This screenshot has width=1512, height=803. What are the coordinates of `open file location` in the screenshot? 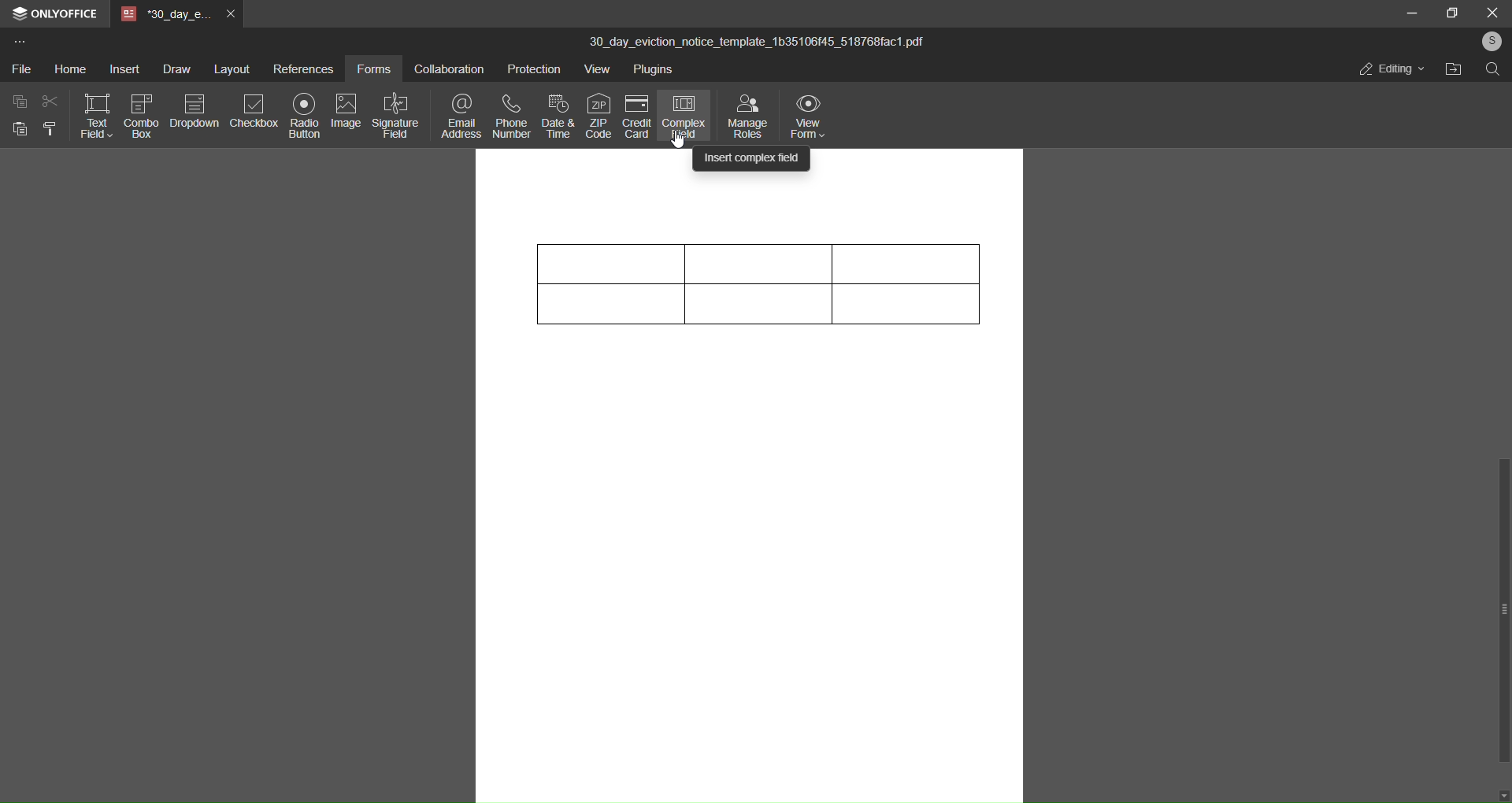 It's located at (1451, 70).